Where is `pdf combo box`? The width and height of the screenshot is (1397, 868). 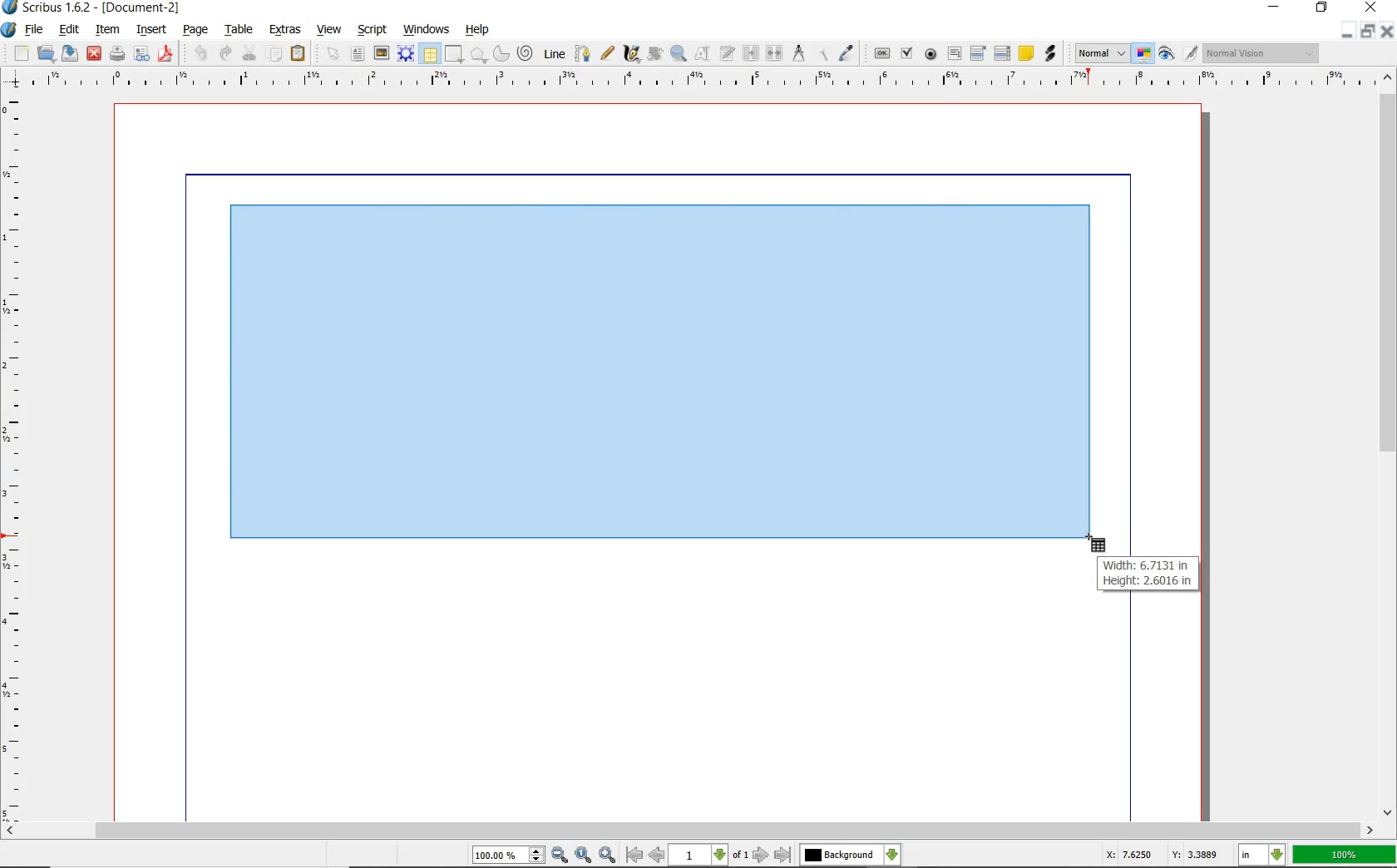 pdf combo box is located at coordinates (979, 53).